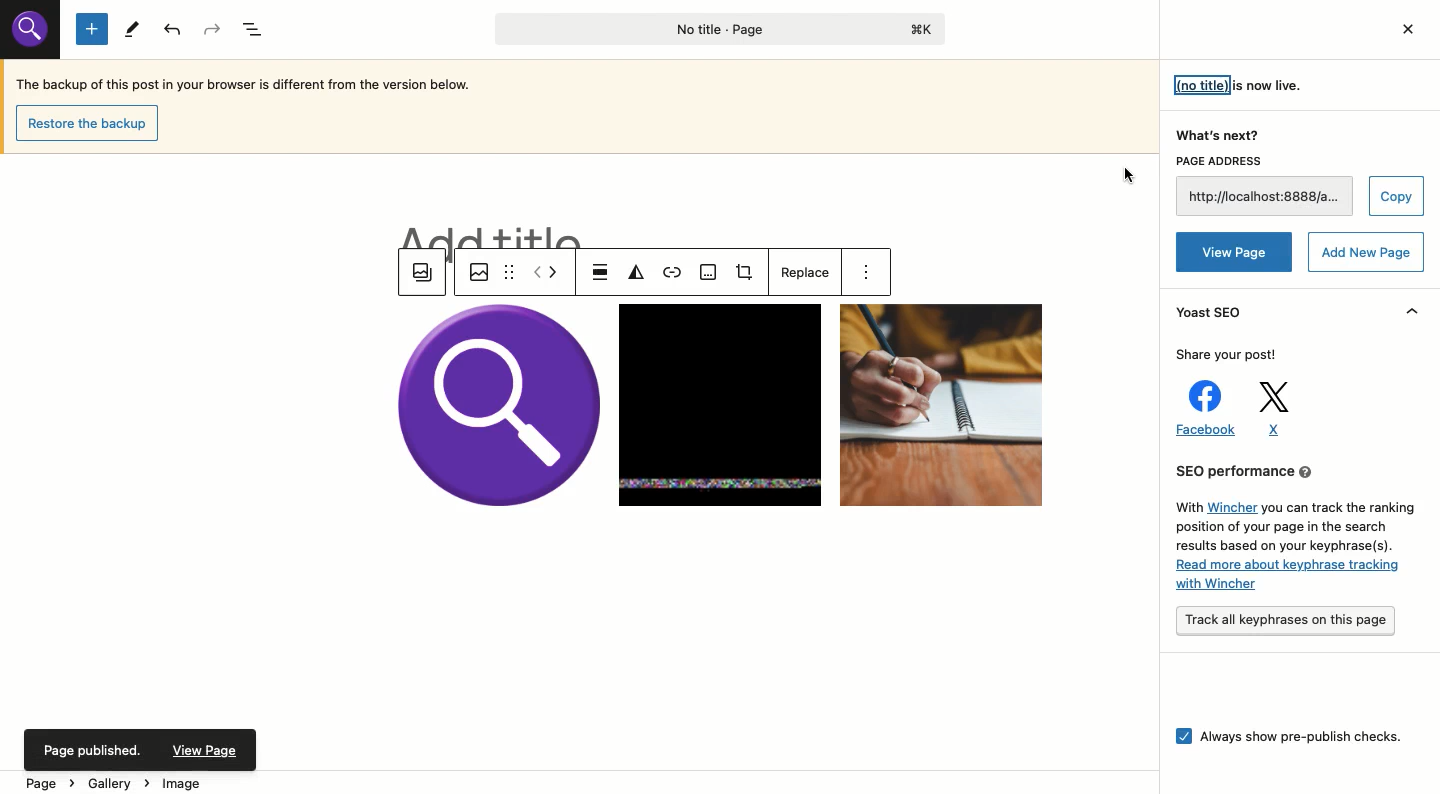 The width and height of the screenshot is (1440, 794). What do you see at coordinates (508, 271) in the screenshot?
I see `Drag` at bounding box center [508, 271].